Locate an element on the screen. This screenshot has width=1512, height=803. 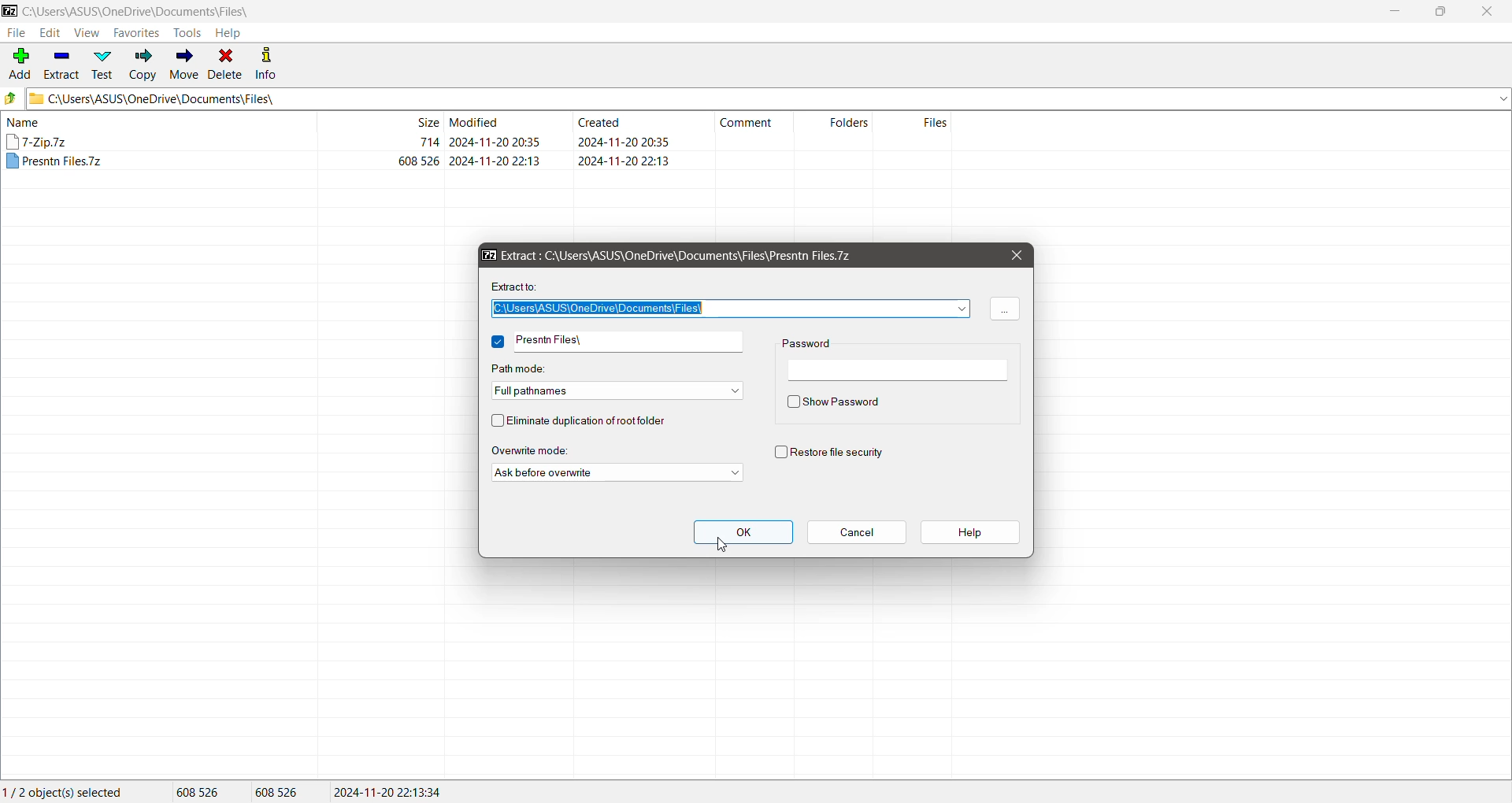
Close is located at coordinates (1490, 12).